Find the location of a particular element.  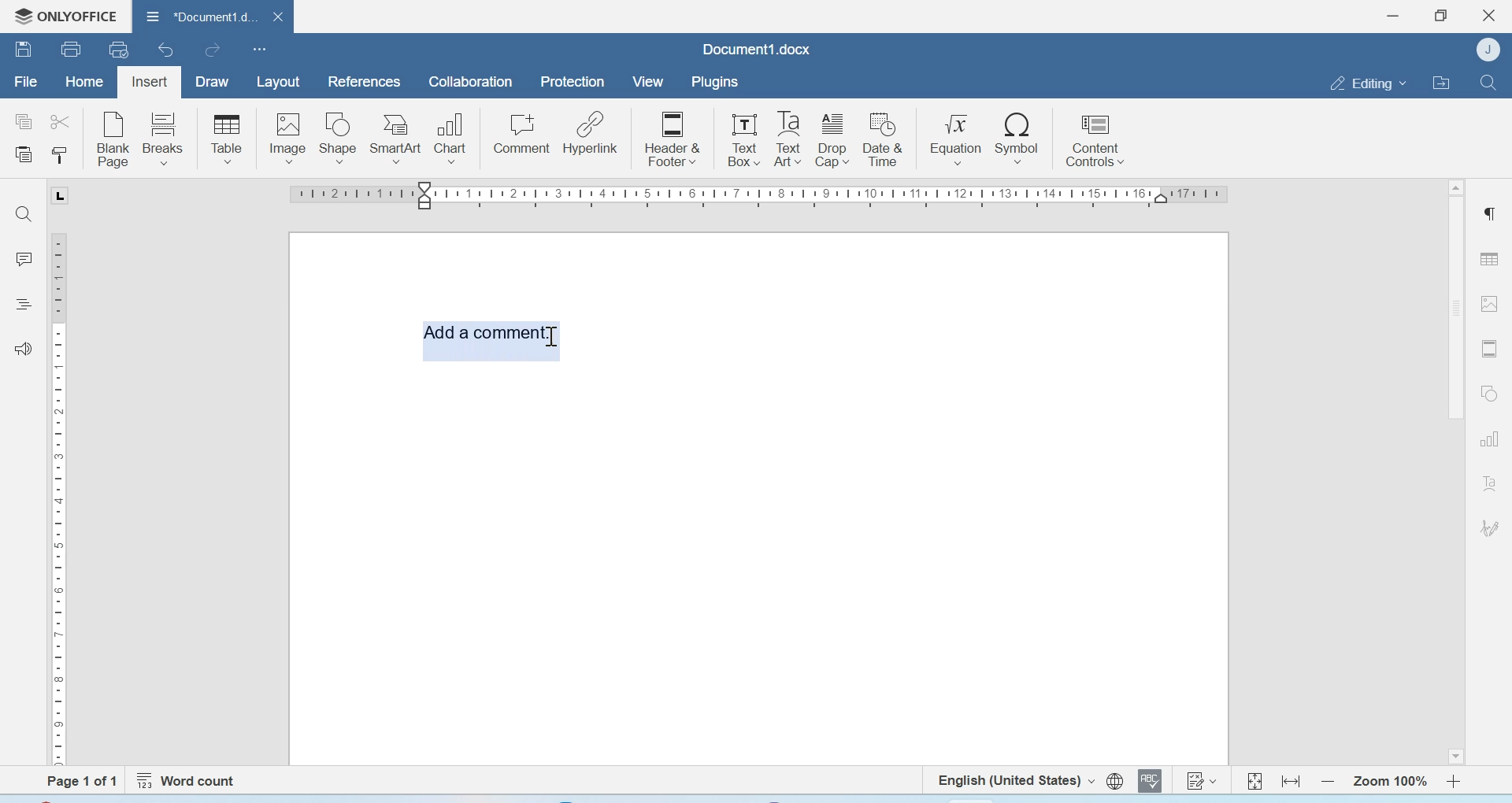

Undo is located at coordinates (168, 50).